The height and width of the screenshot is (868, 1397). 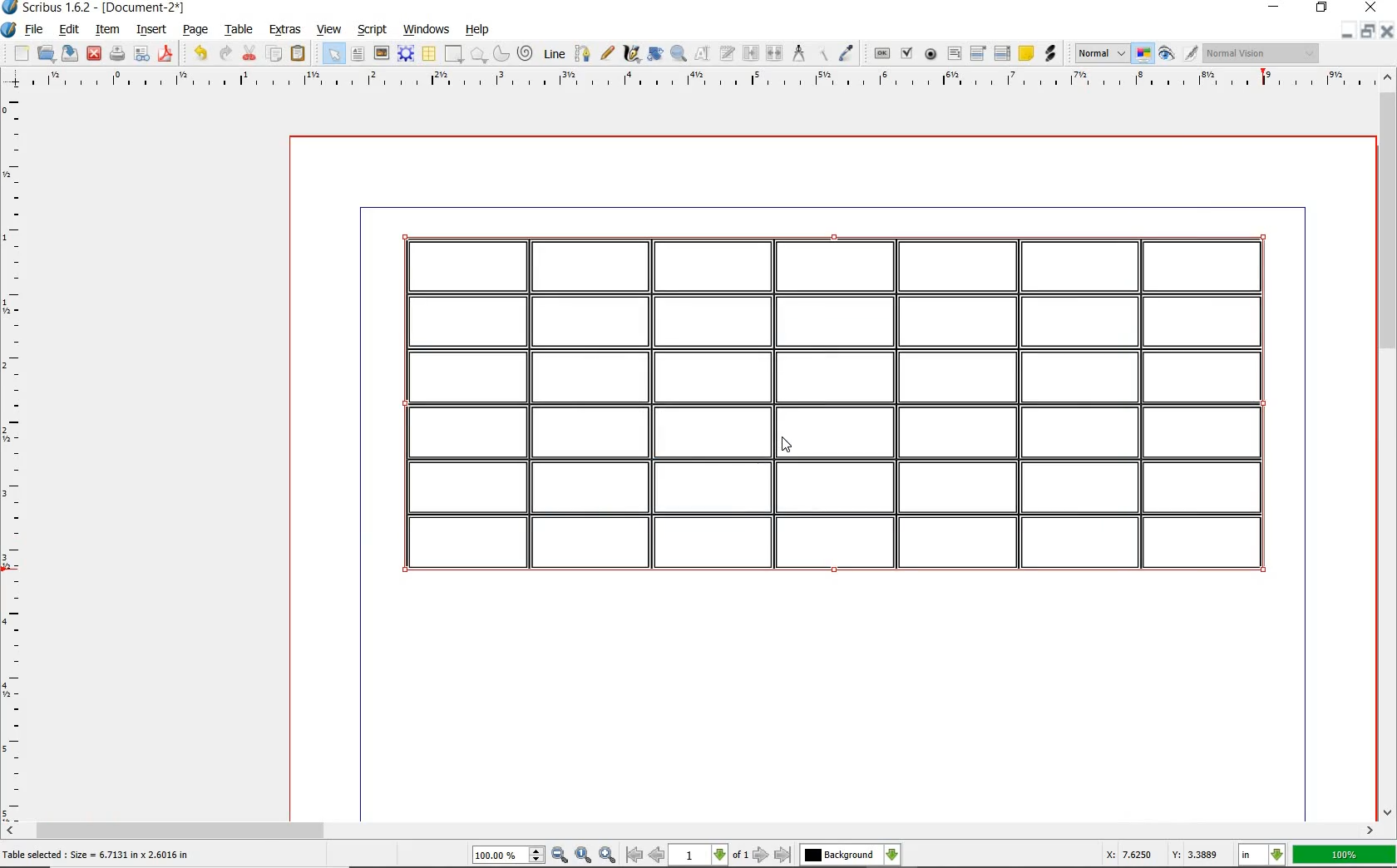 What do you see at coordinates (508, 856) in the screenshot?
I see `select current zoom level` at bounding box center [508, 856].